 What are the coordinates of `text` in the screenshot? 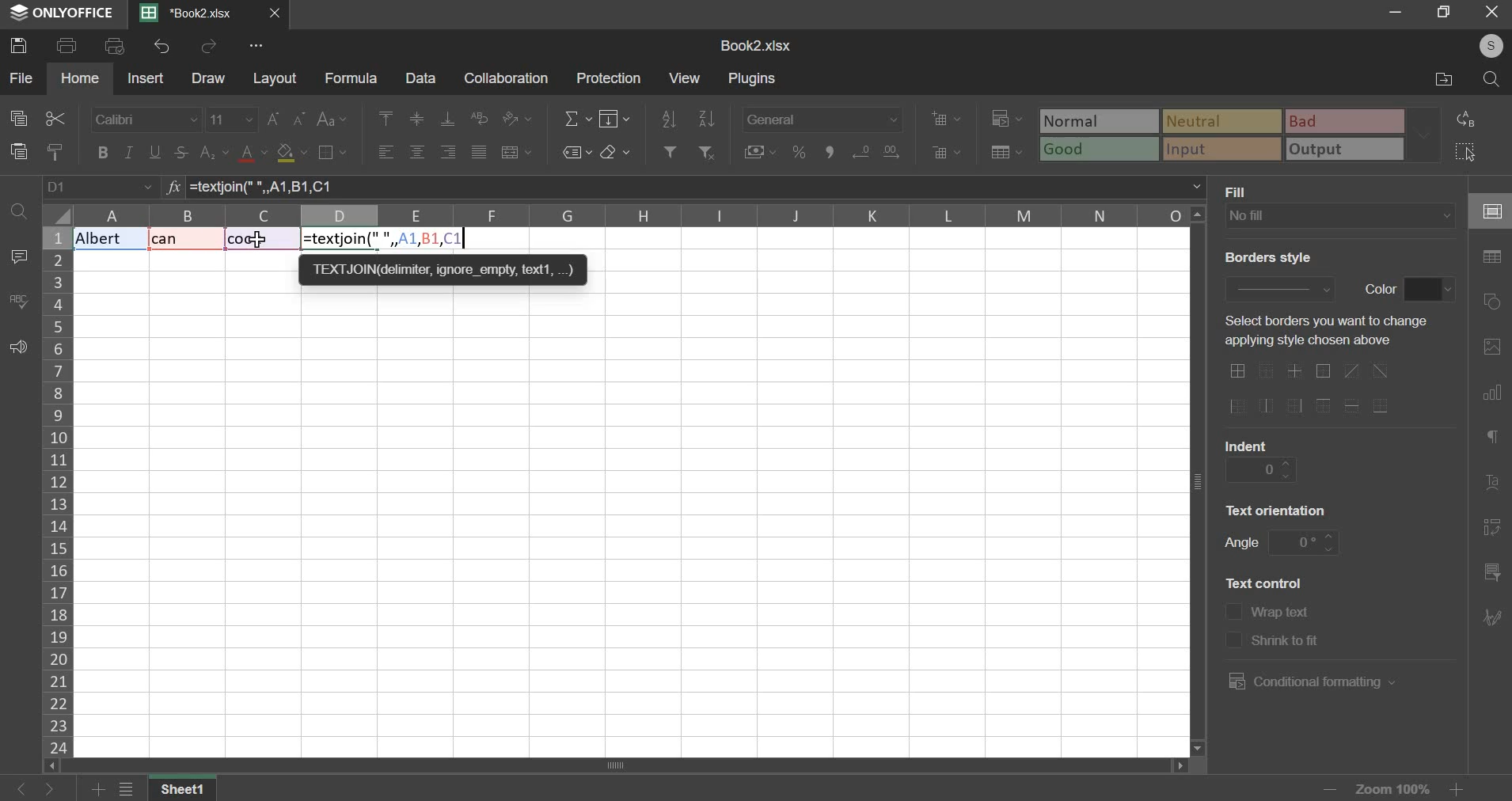 It's located at (1287, 643).